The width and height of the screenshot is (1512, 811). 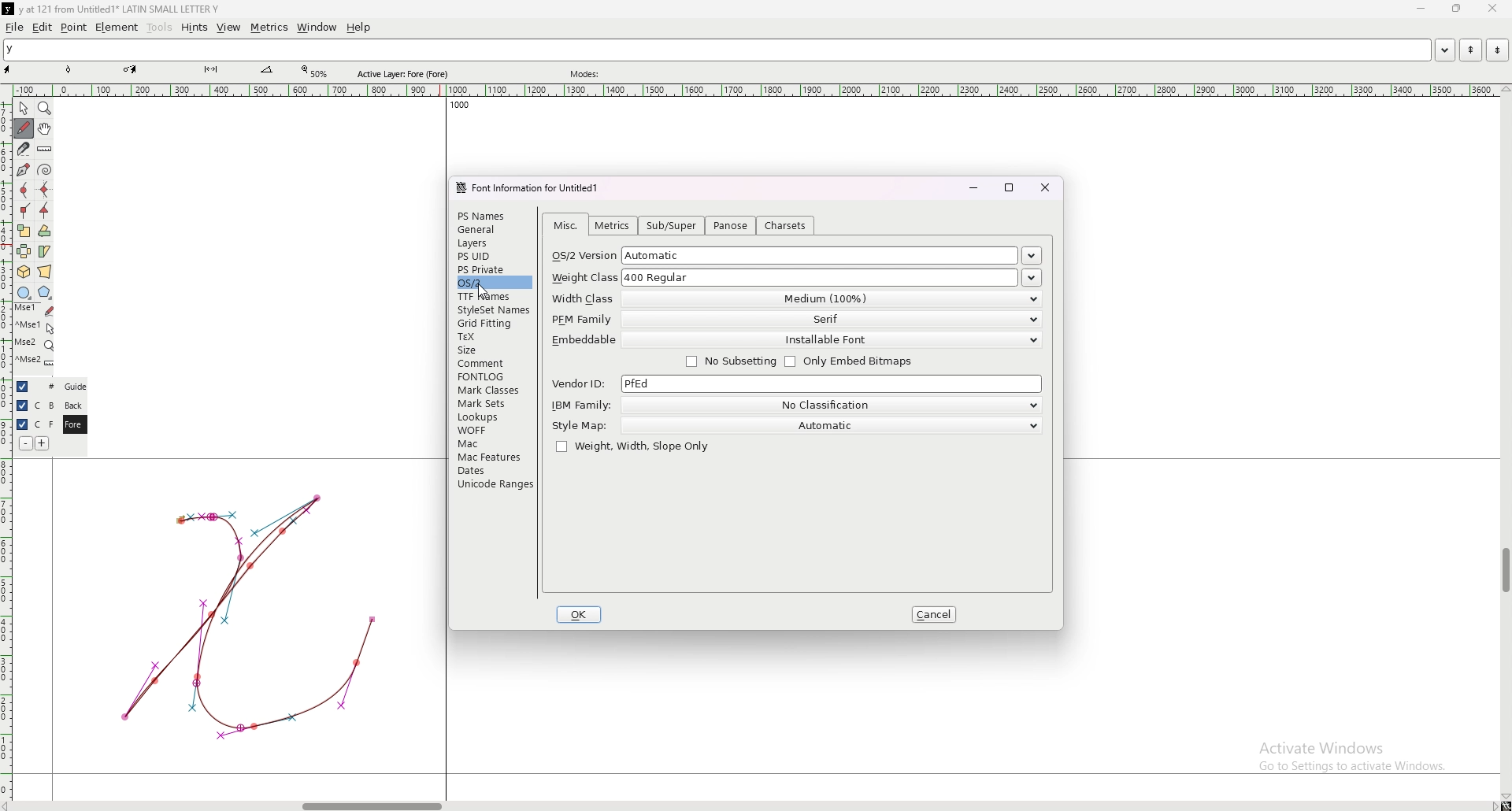 What do you see at coordinates (786, 255) in the screenshot?
I see `os/2 version automatic` at bounding box center [786, 255].